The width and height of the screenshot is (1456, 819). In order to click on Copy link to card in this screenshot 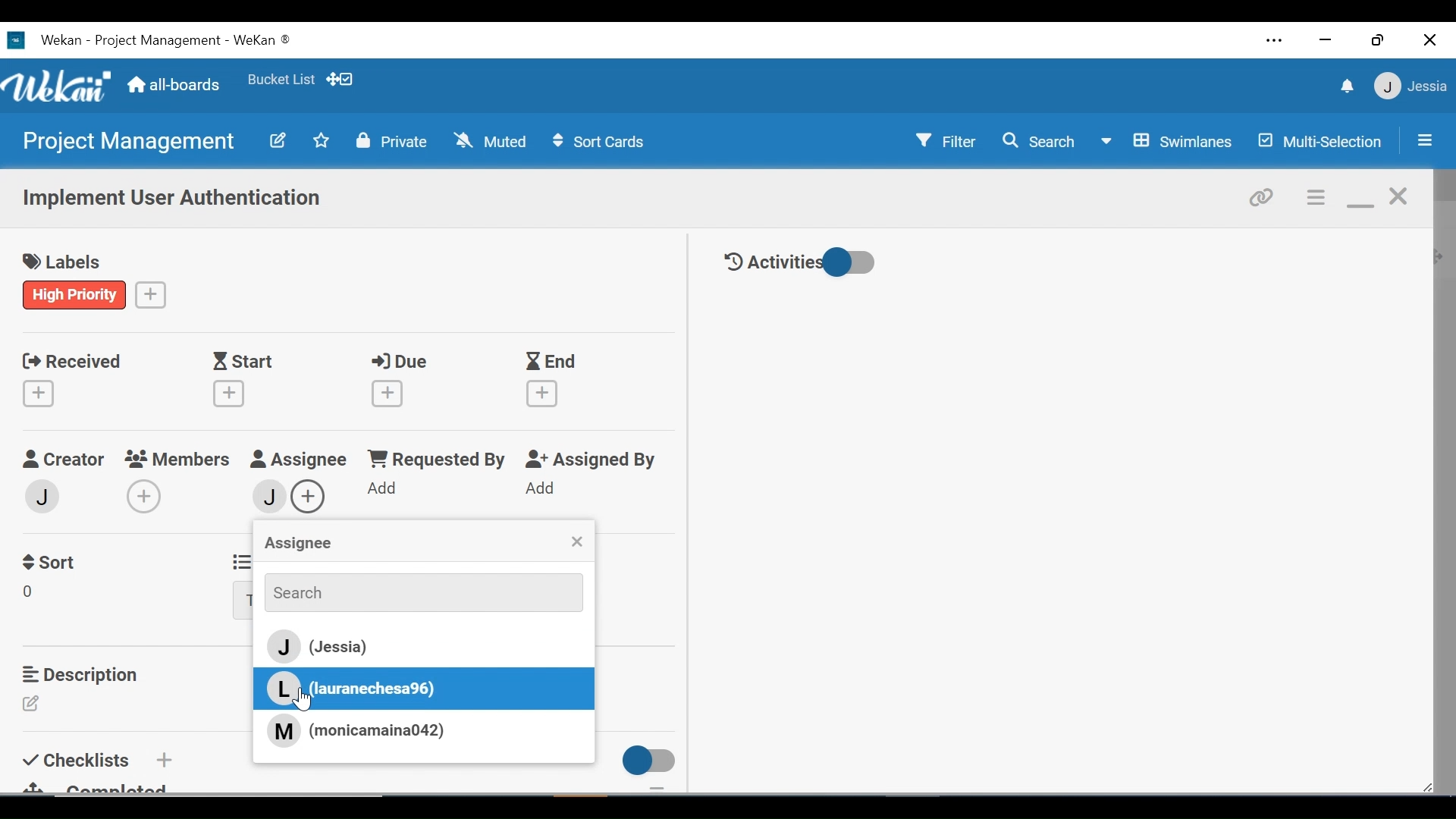, I will do `click(1263, 196)`.